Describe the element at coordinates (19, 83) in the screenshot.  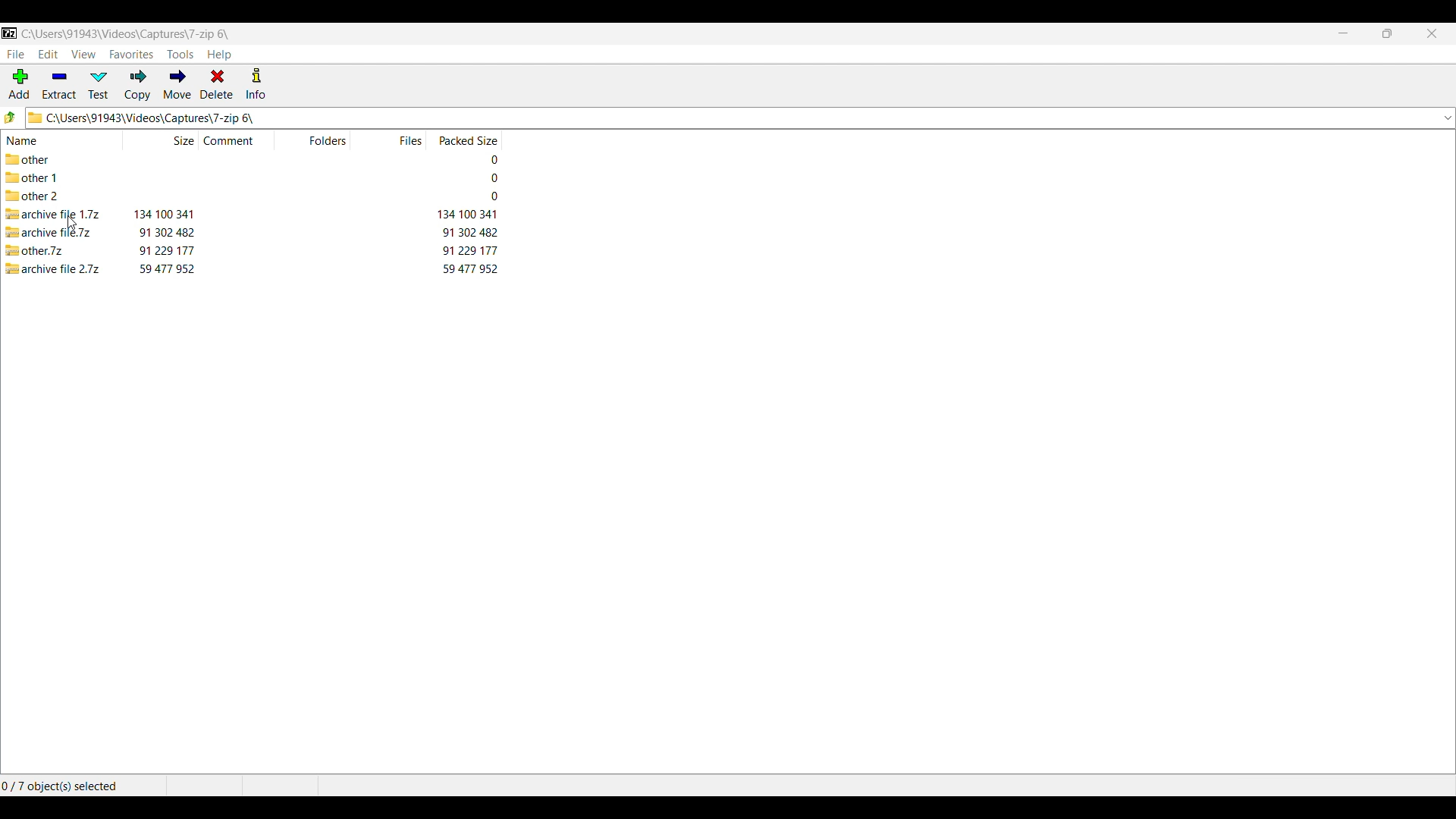
I see `Add` at that location.